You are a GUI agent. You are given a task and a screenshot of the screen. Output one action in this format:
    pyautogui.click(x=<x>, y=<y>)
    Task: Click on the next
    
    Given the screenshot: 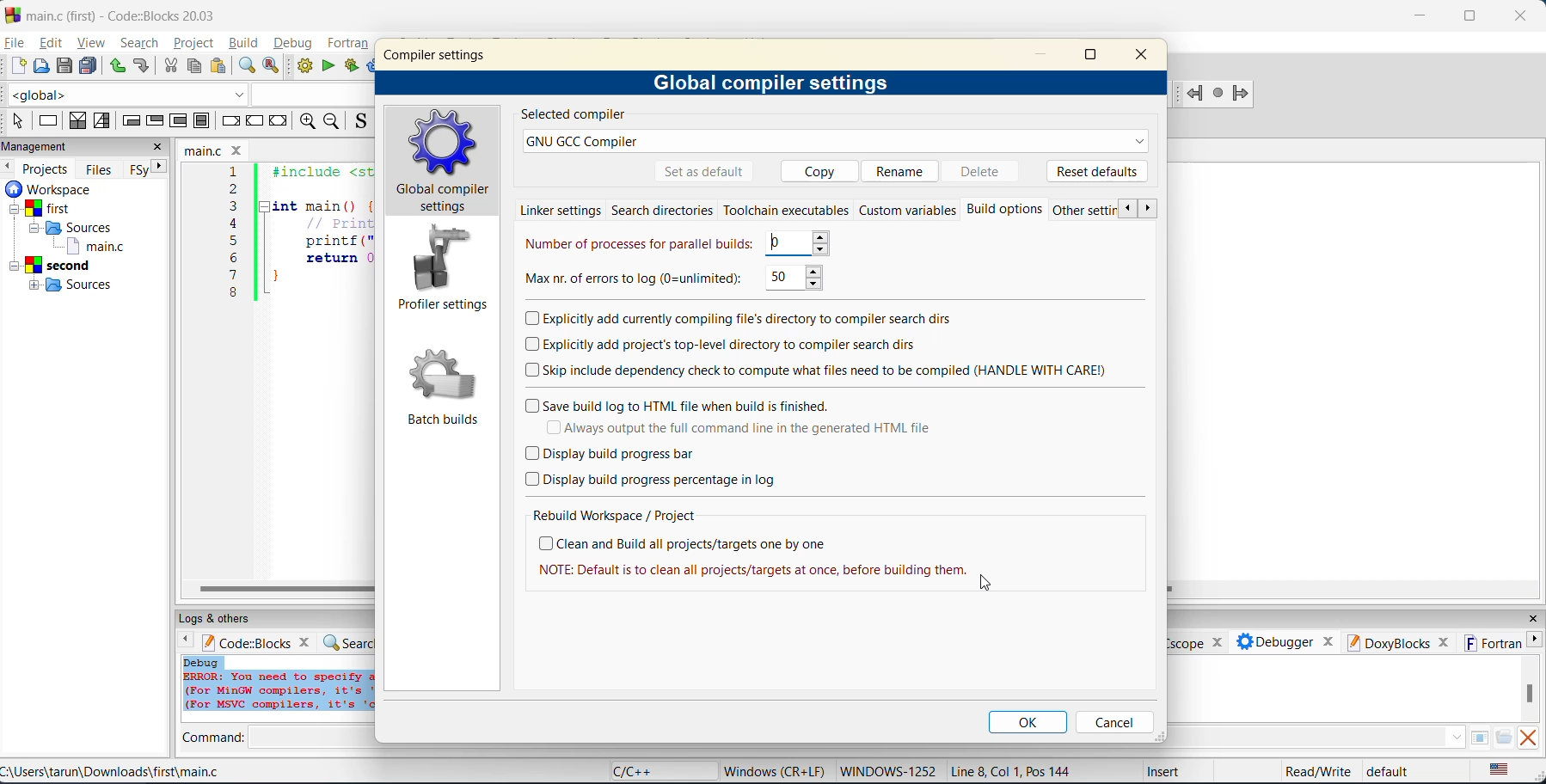 What is the action you would take?
    pyautogui.click(x=1150, y=209)
    